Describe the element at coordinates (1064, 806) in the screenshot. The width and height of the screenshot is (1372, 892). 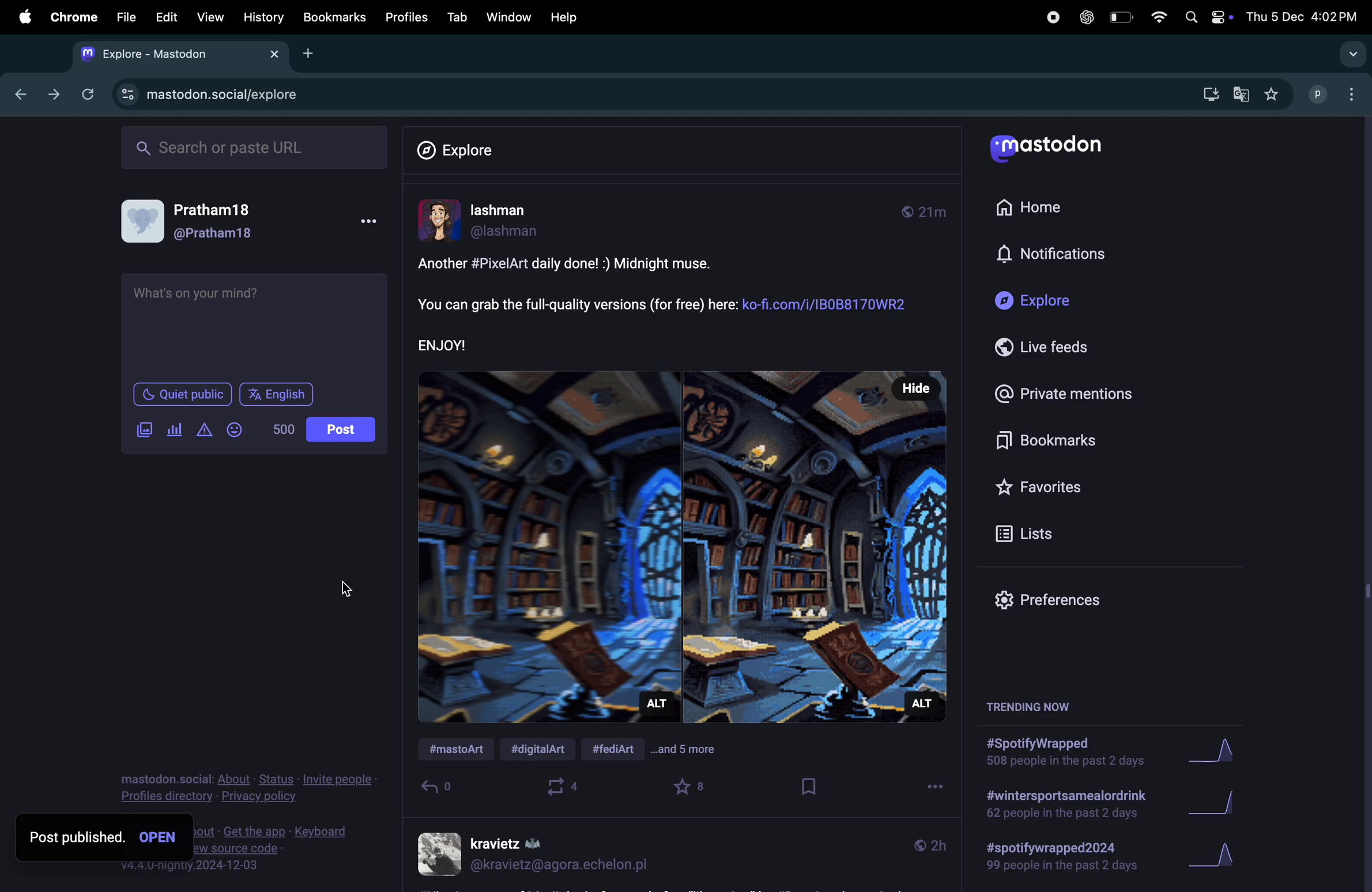
I see `wintersport drink` at that location.